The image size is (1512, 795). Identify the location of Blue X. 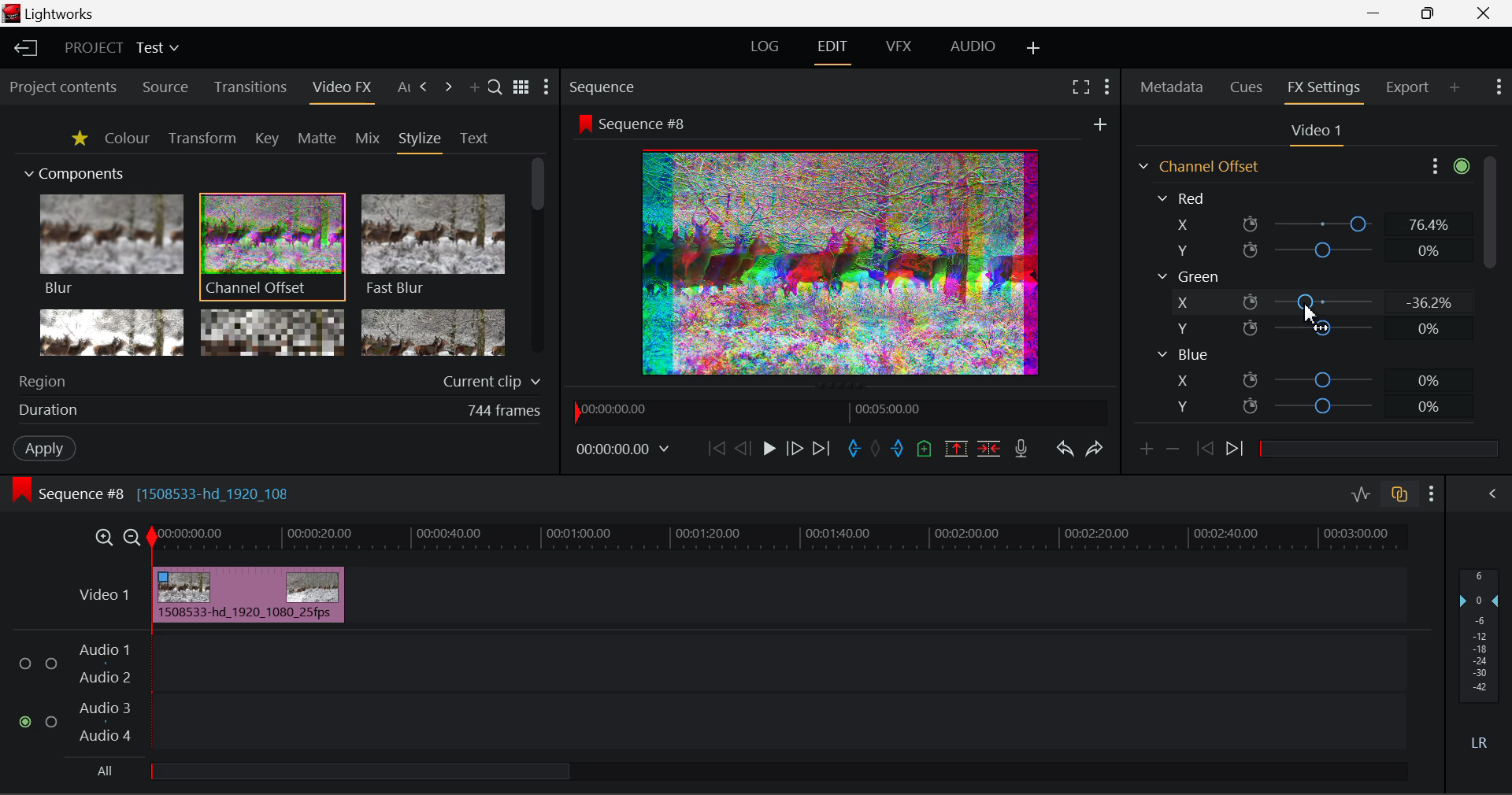
(1314, 379).